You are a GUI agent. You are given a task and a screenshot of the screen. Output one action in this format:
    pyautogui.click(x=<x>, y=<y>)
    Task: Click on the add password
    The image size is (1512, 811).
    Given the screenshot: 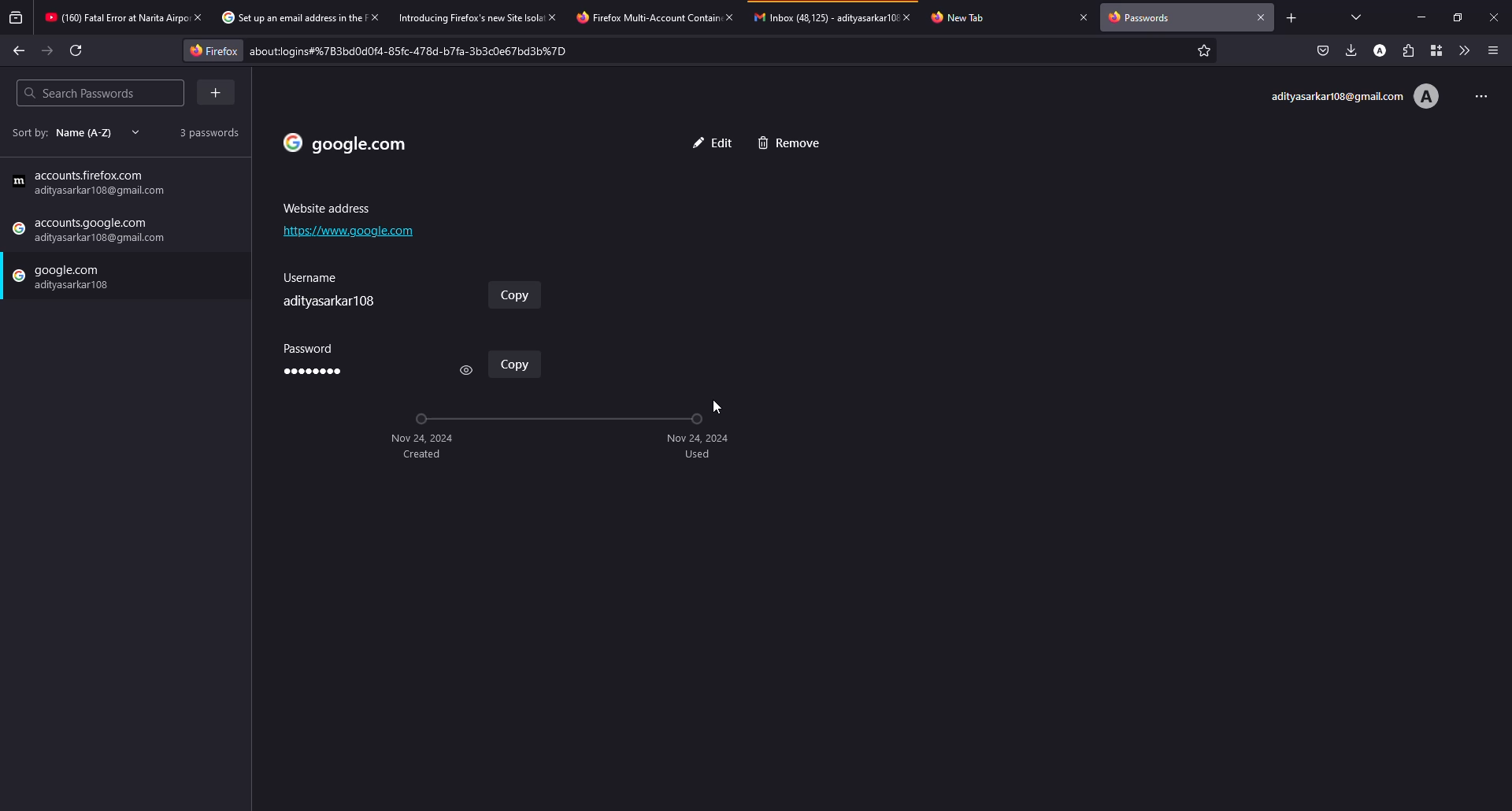 What is the action you would take?
    pyautogui.click(x=91, y=185)
    